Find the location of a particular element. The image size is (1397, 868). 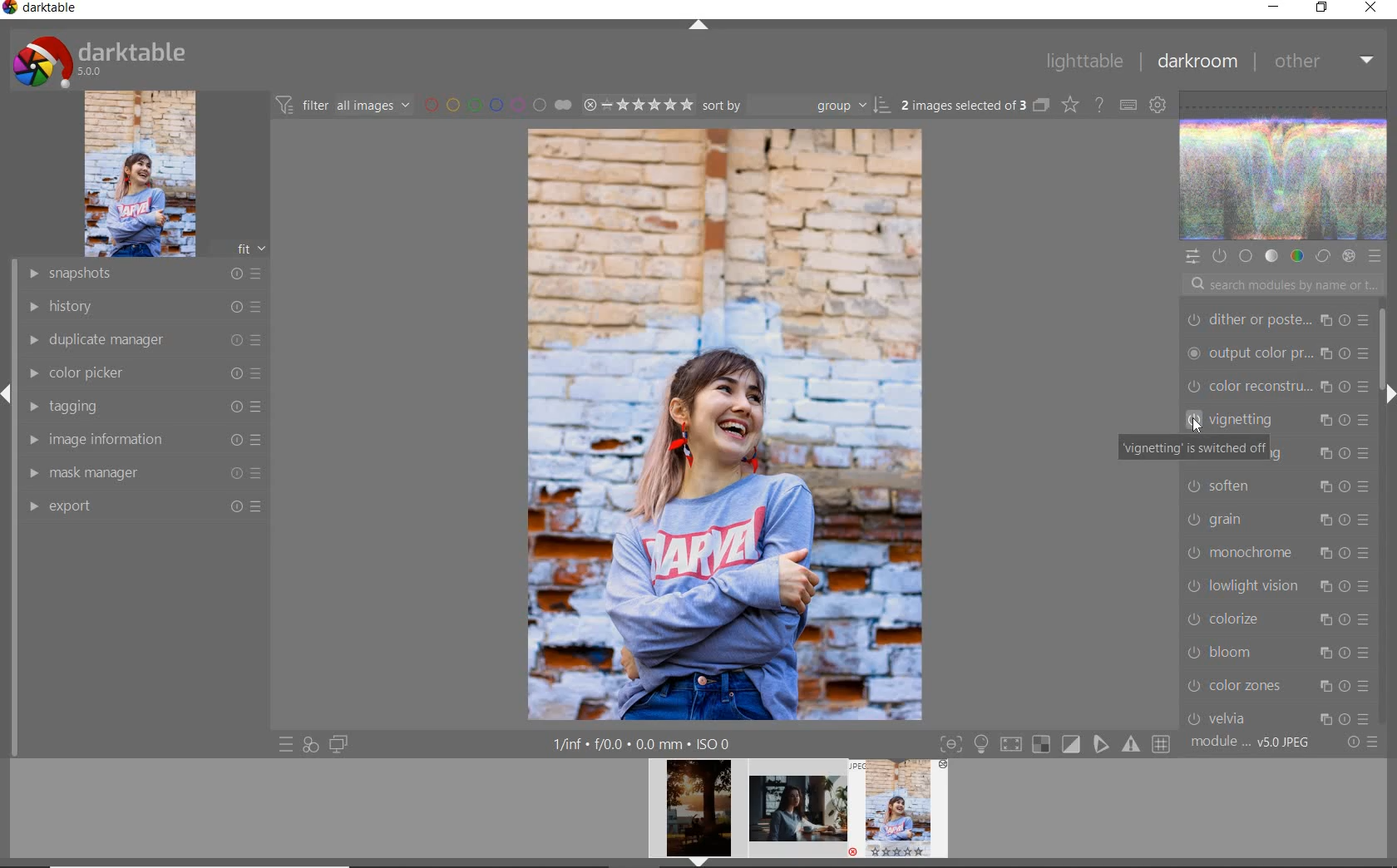

lens correction is located at coordinates (1275, 713).